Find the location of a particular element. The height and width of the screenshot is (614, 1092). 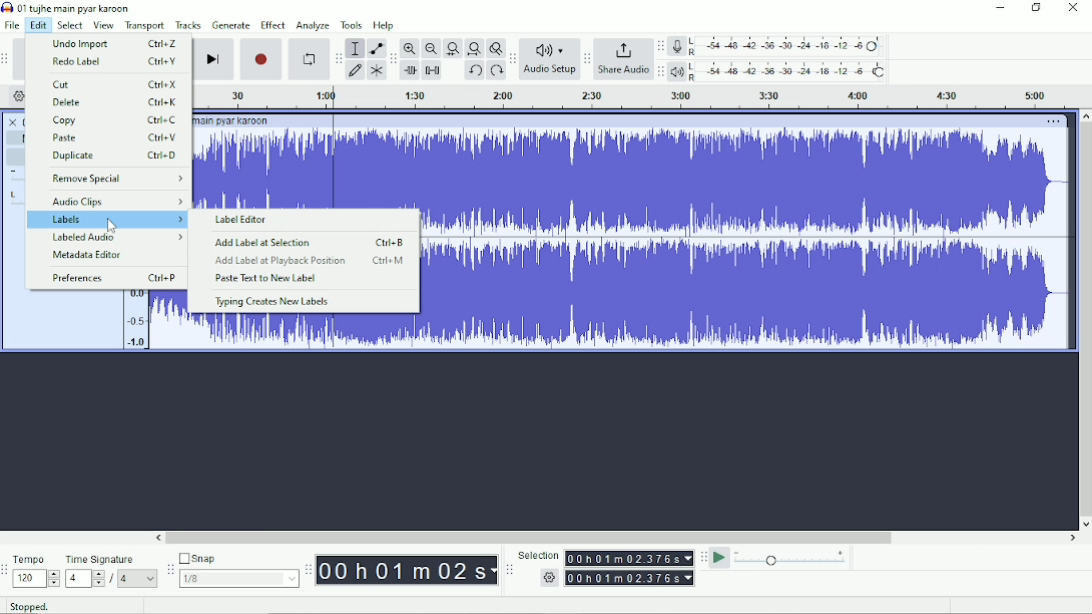

Duplicate is located at coordinates (114, 156).